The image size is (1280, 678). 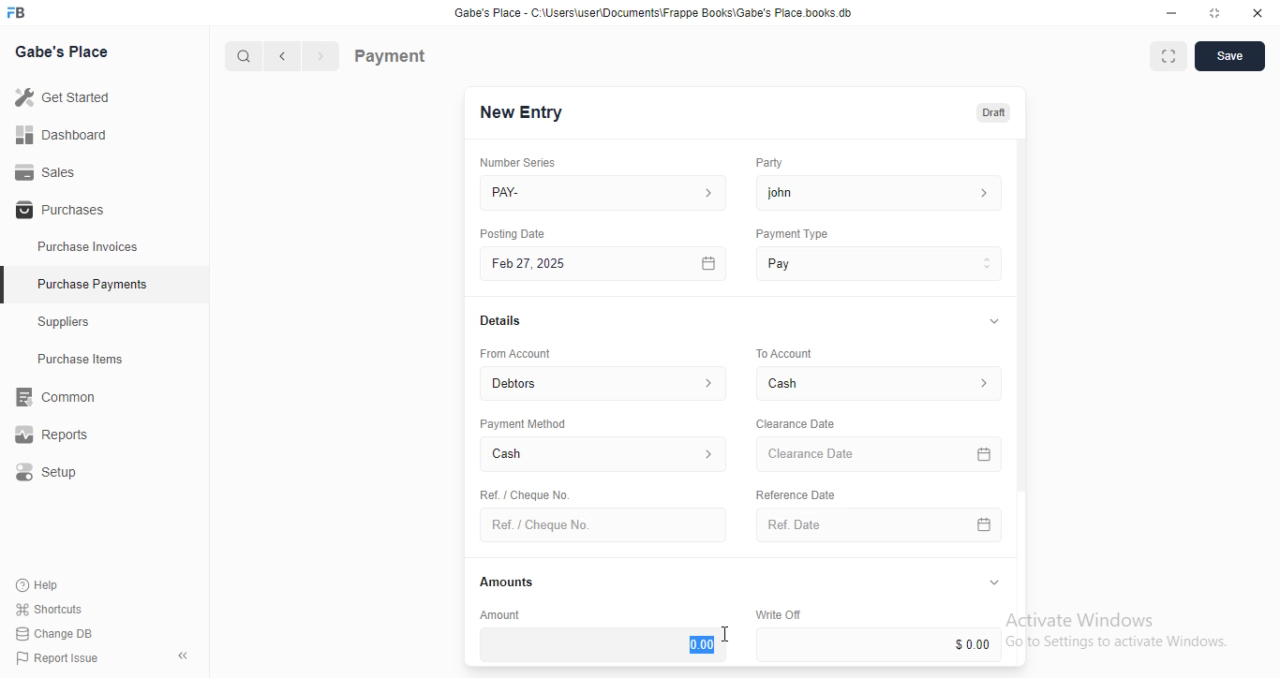 What do you see at coordinates (790, 234) in the screenshot?
I see `Payment Type` at bounding box center [790, 234].